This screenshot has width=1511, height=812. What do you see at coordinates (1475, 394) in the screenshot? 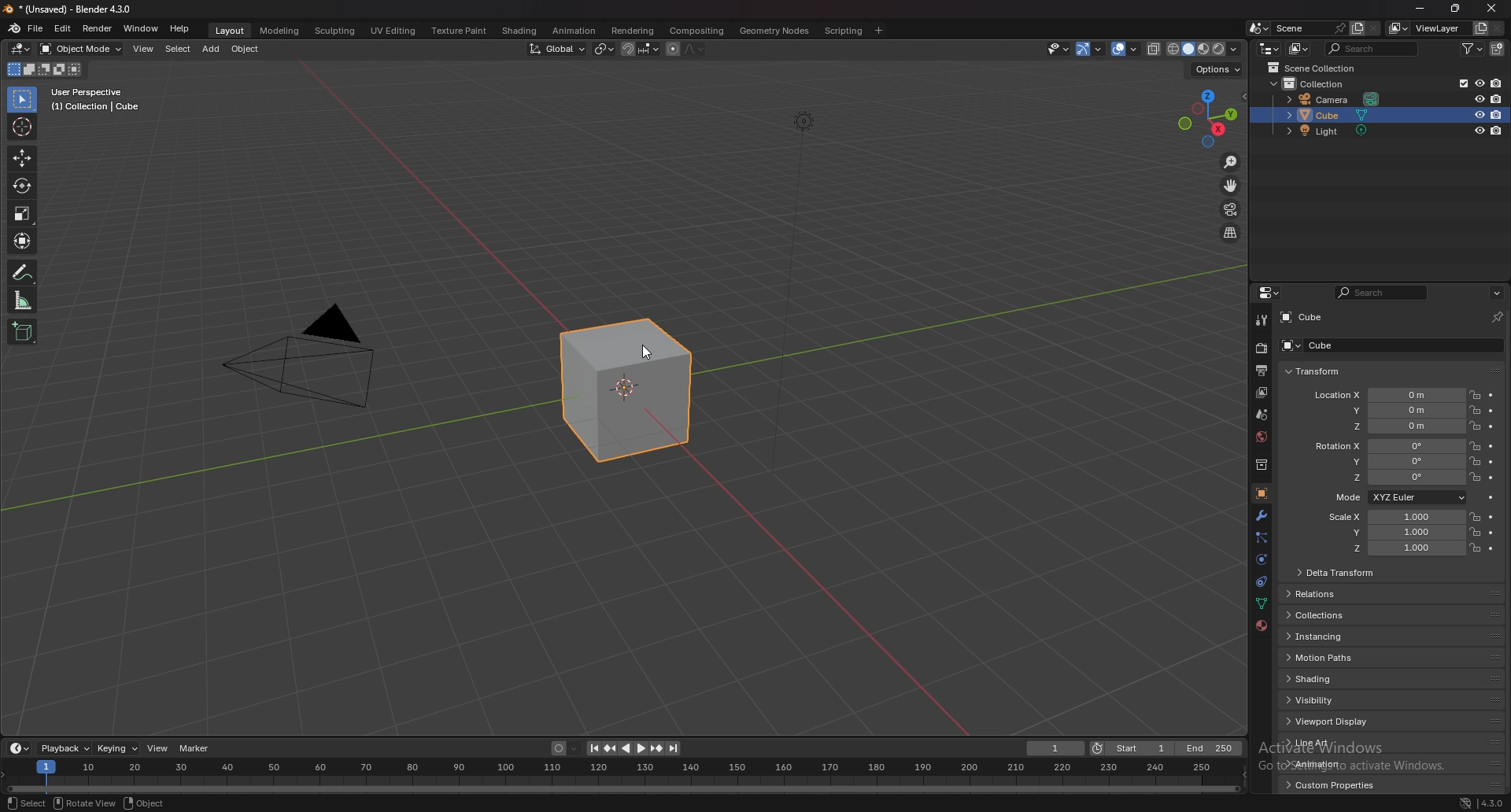
I see `lock` at bounding box center [1475, 394].